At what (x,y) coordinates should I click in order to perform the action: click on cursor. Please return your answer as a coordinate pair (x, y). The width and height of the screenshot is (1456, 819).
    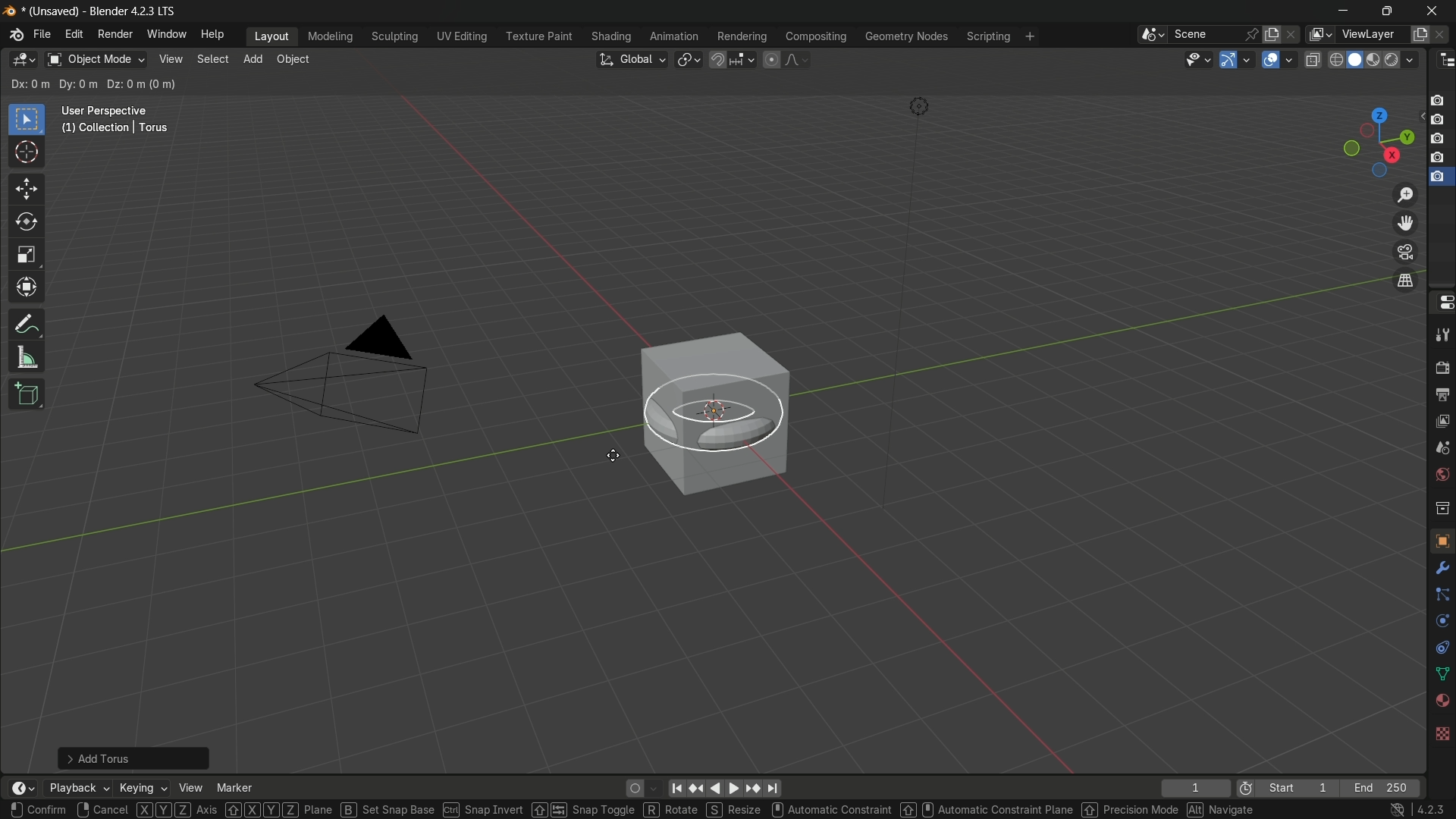
    Looking at the image, I should click on (611, 457).